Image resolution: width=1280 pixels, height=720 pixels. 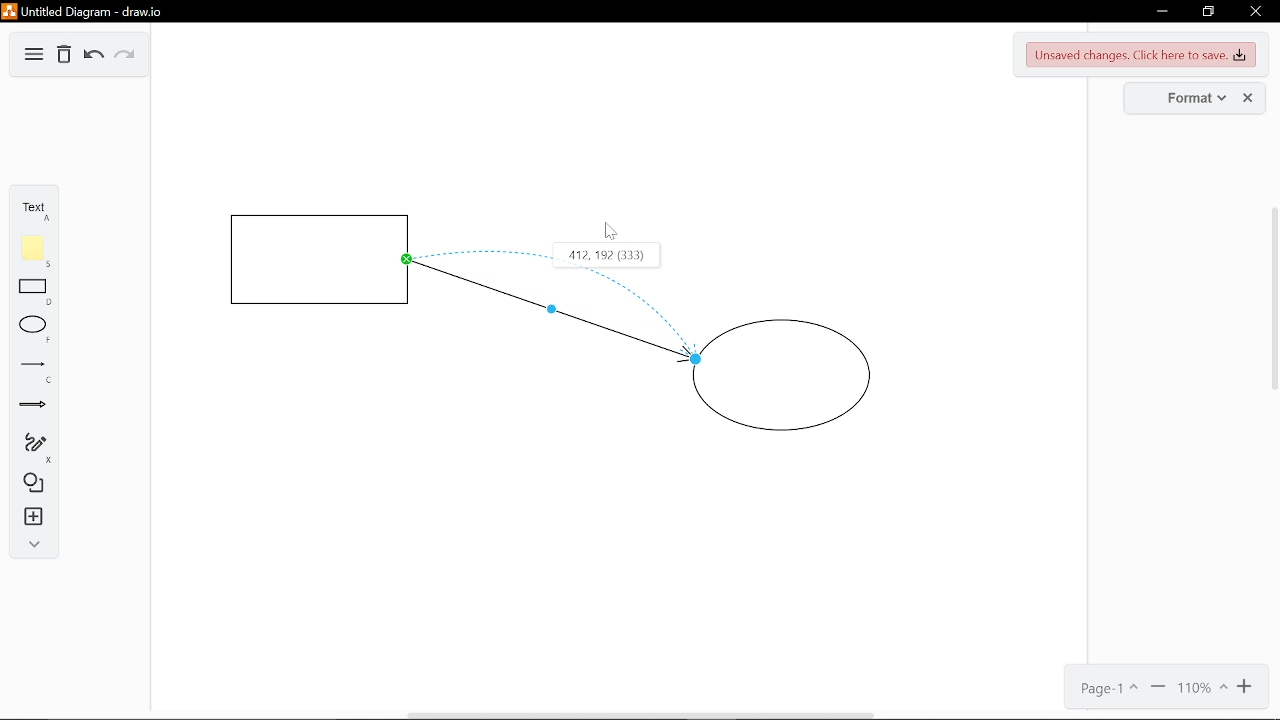 I want to click on Freehand, so click(x=30, y=447).